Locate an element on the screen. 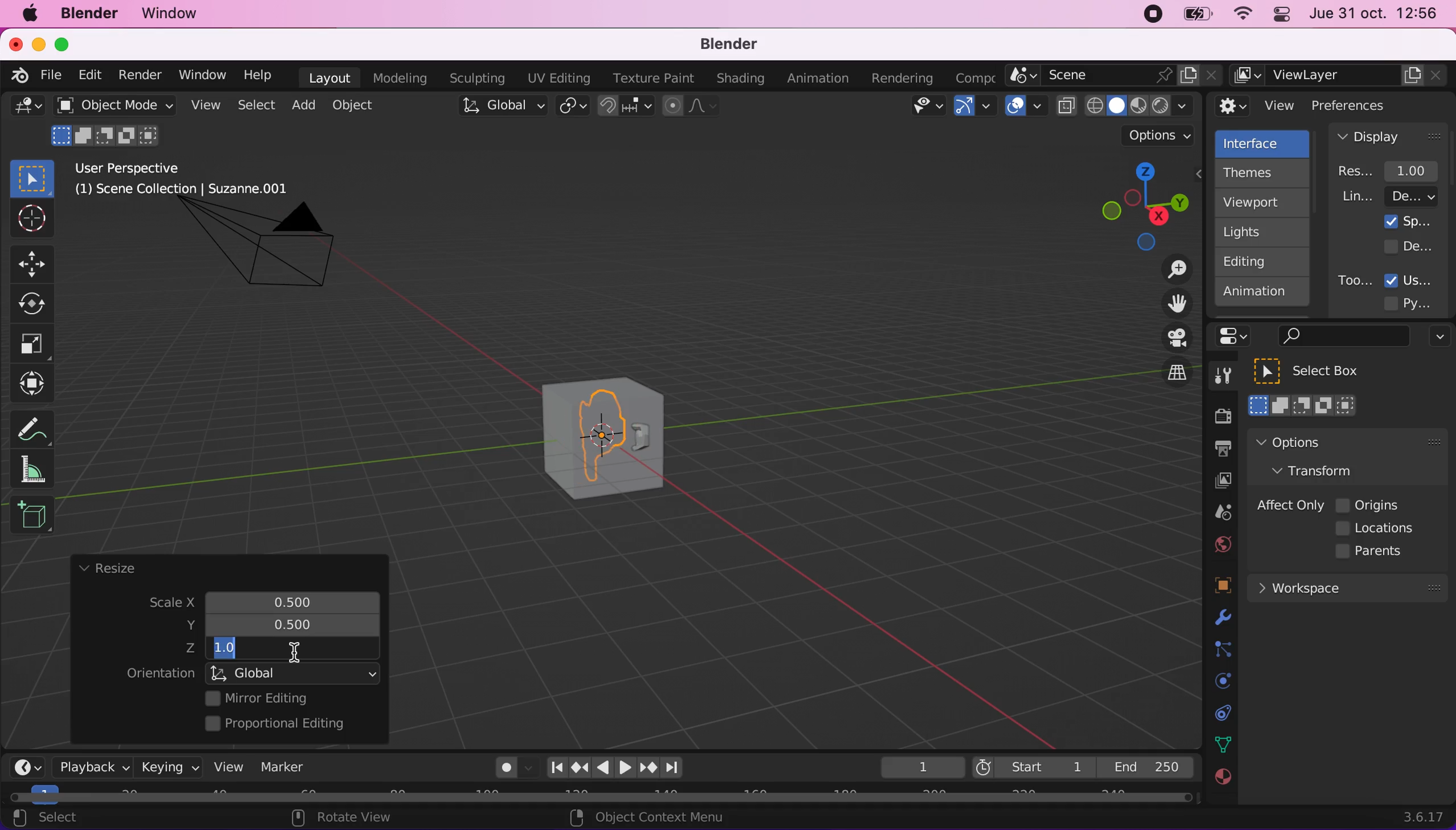 The width and height of the screenshot is (1456, 830). blender is located at coordinates (88, 14).